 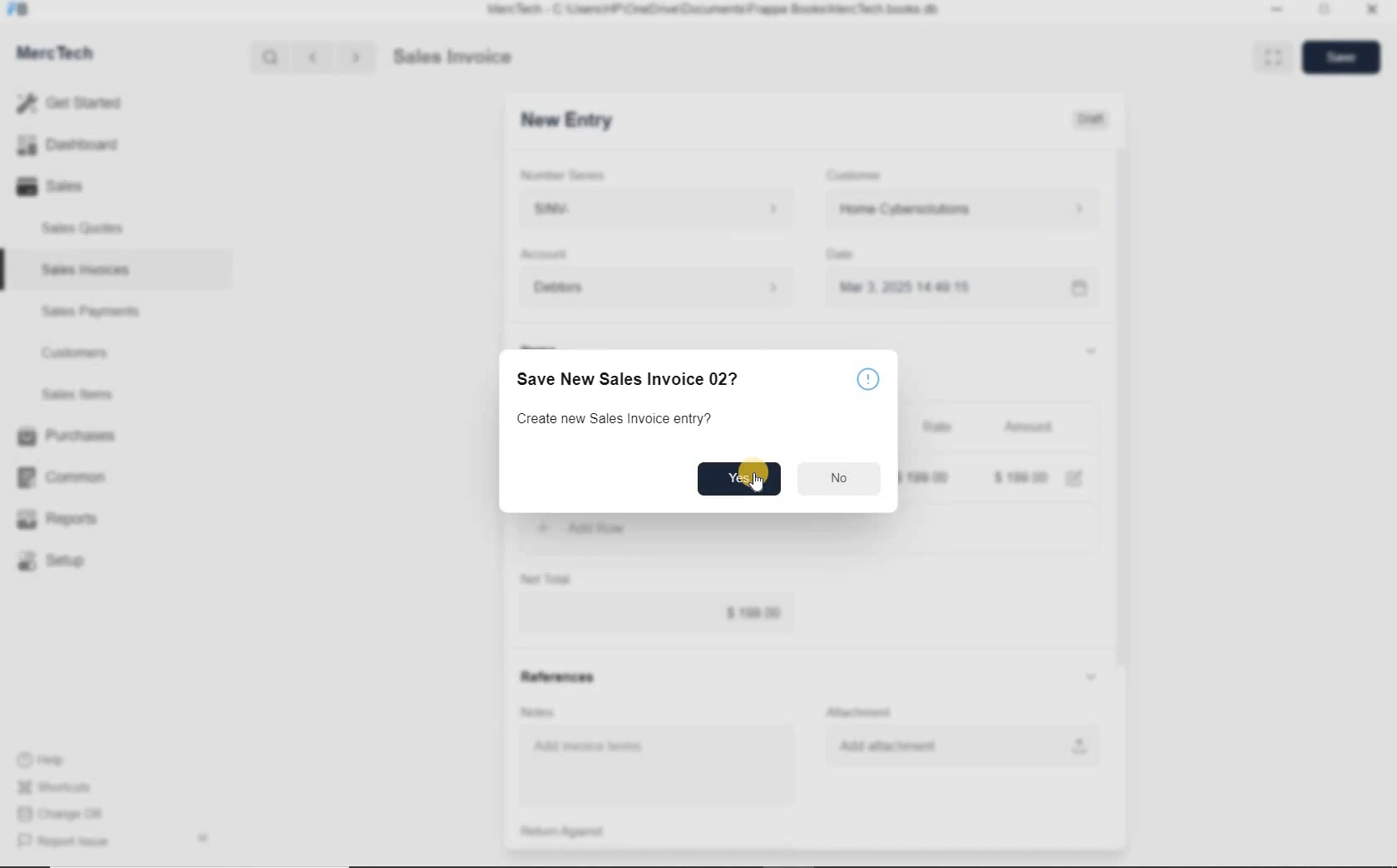 What do you see at coordinates (1022, 476) in the screenshot?
I see `amount: $0.00` at bounding box center [1022, 476].